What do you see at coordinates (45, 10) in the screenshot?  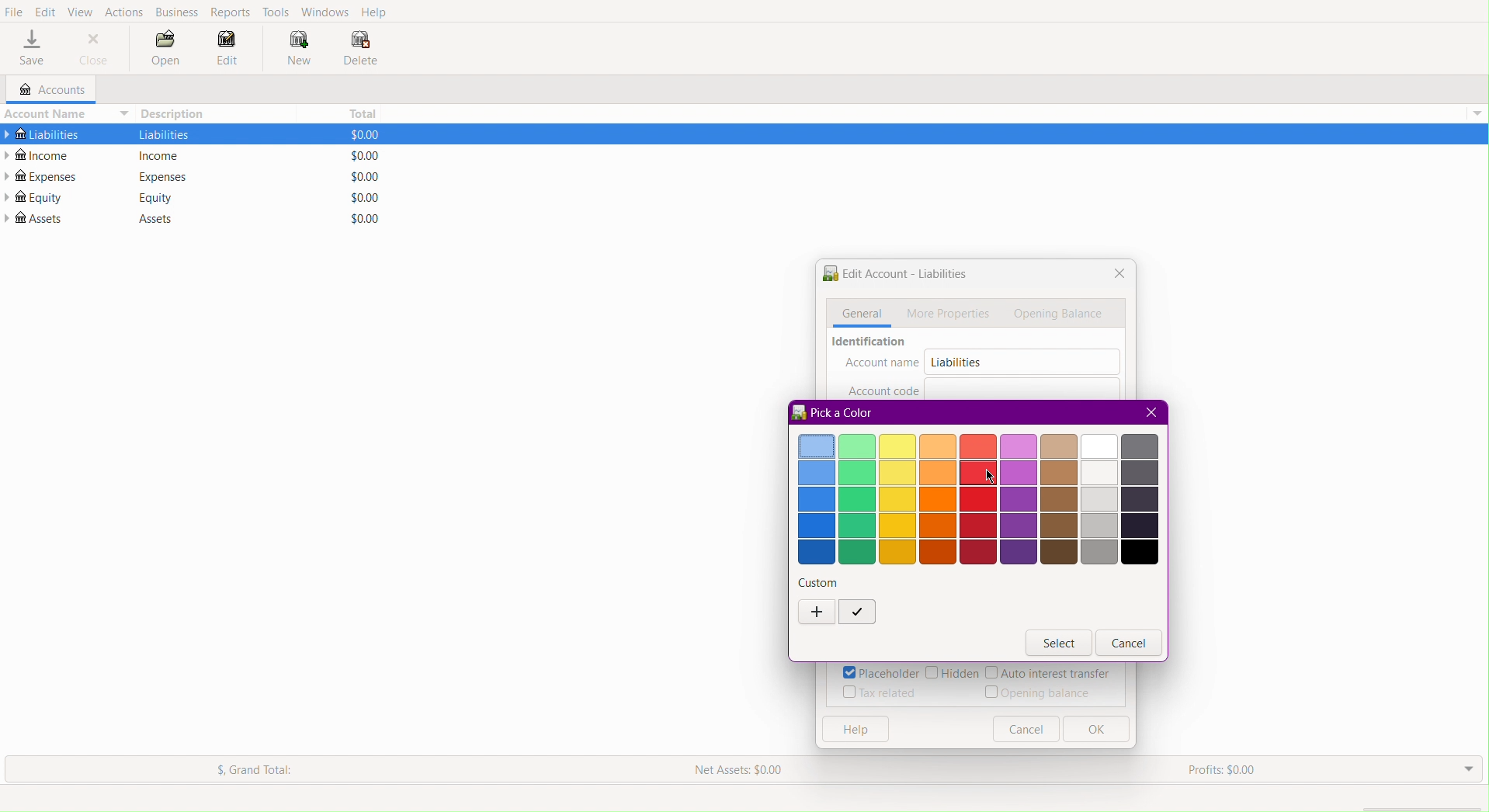 I see `Edit` at bounding box center [45, 10].